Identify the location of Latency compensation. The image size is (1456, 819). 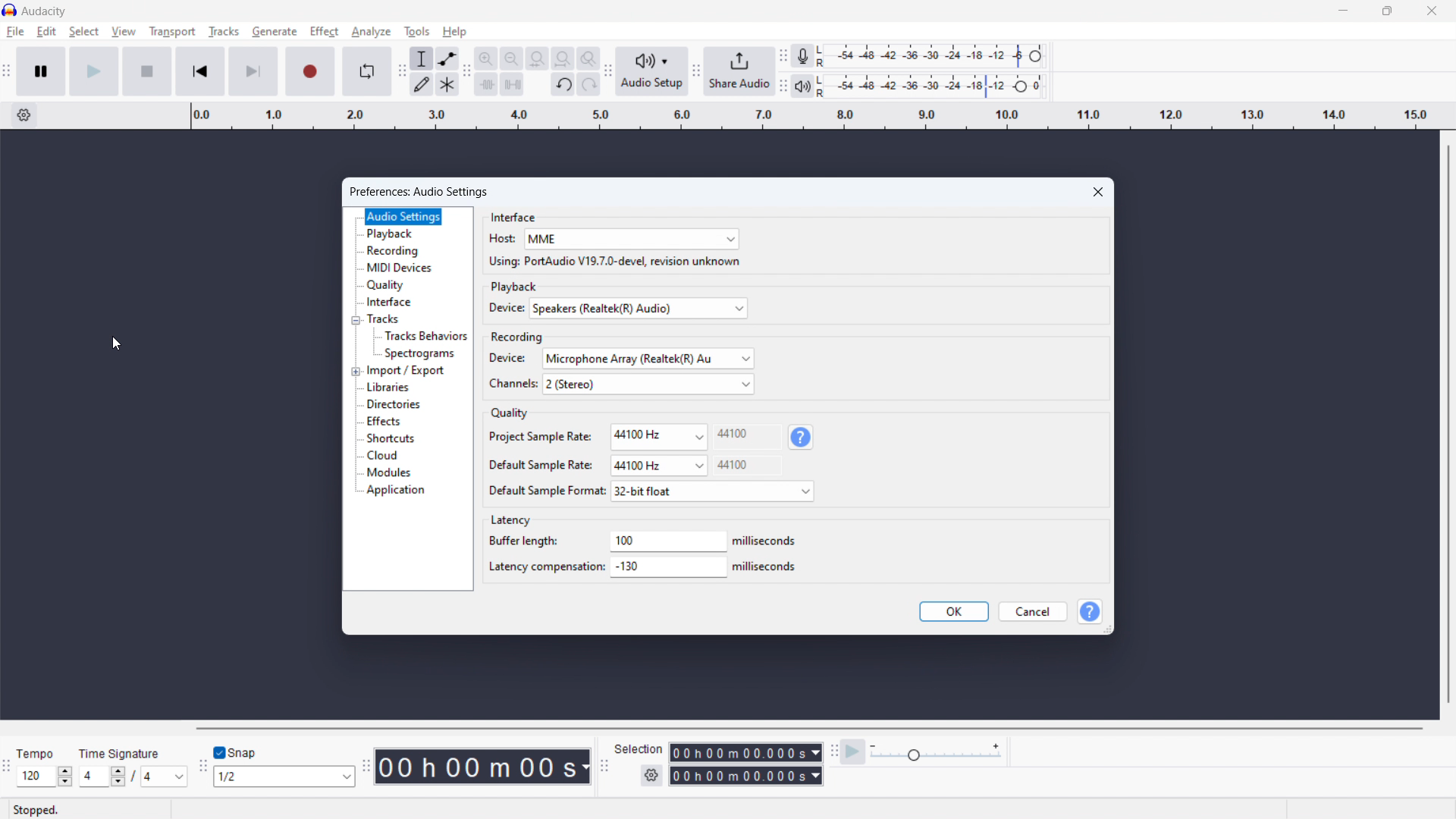
(541, 568).